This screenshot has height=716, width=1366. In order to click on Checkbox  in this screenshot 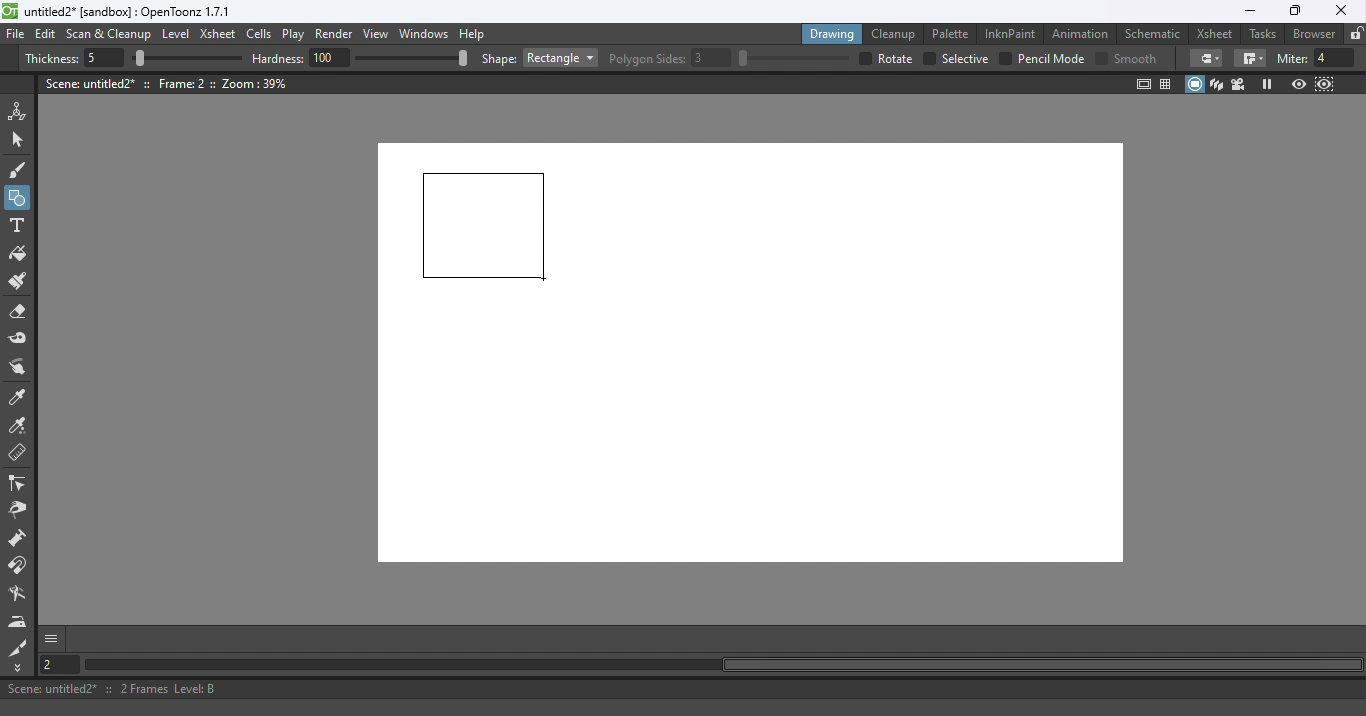, I will do `click(1101, 57)`.